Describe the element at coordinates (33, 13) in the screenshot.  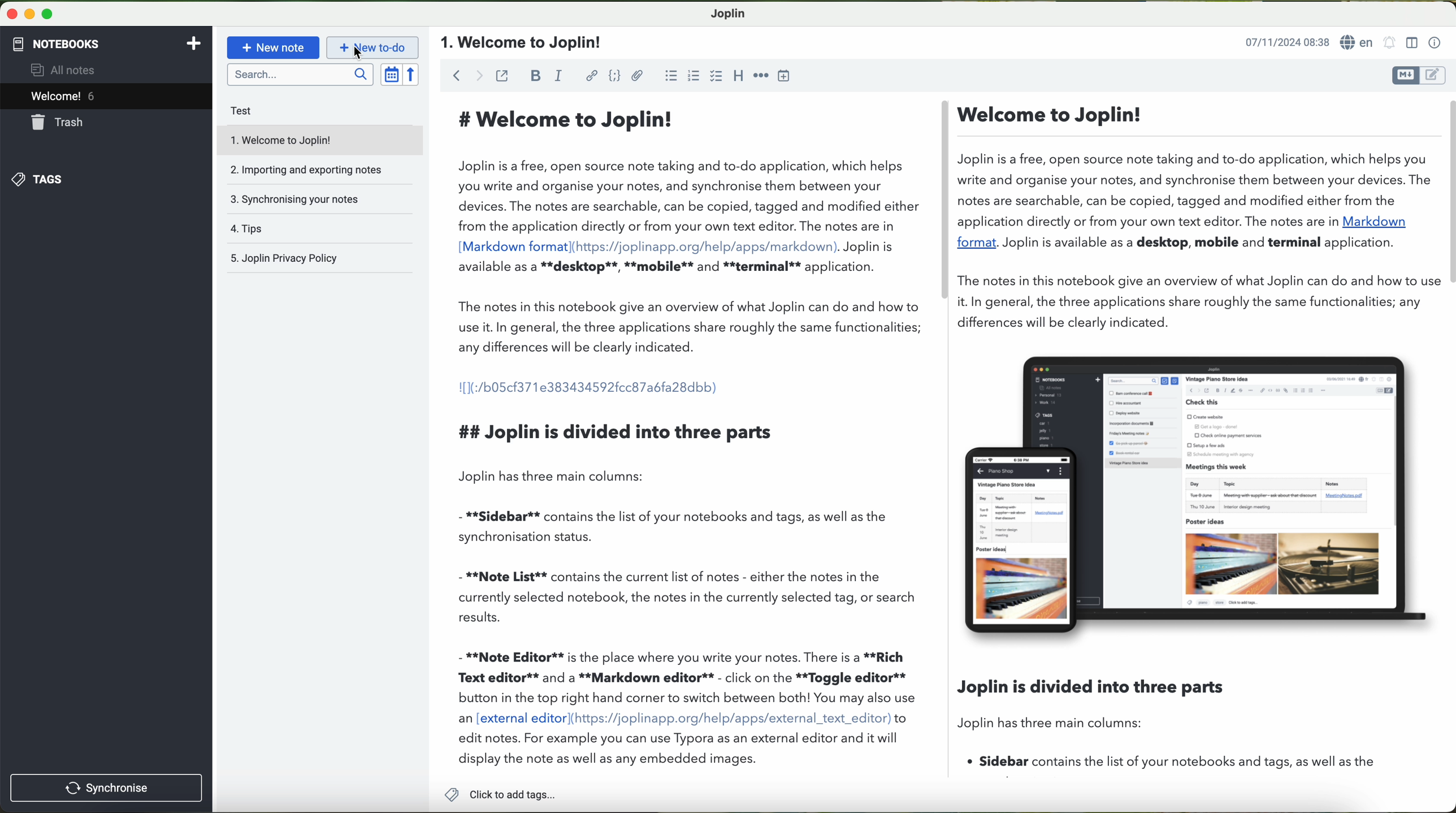
I see `screen buttons` at that location.